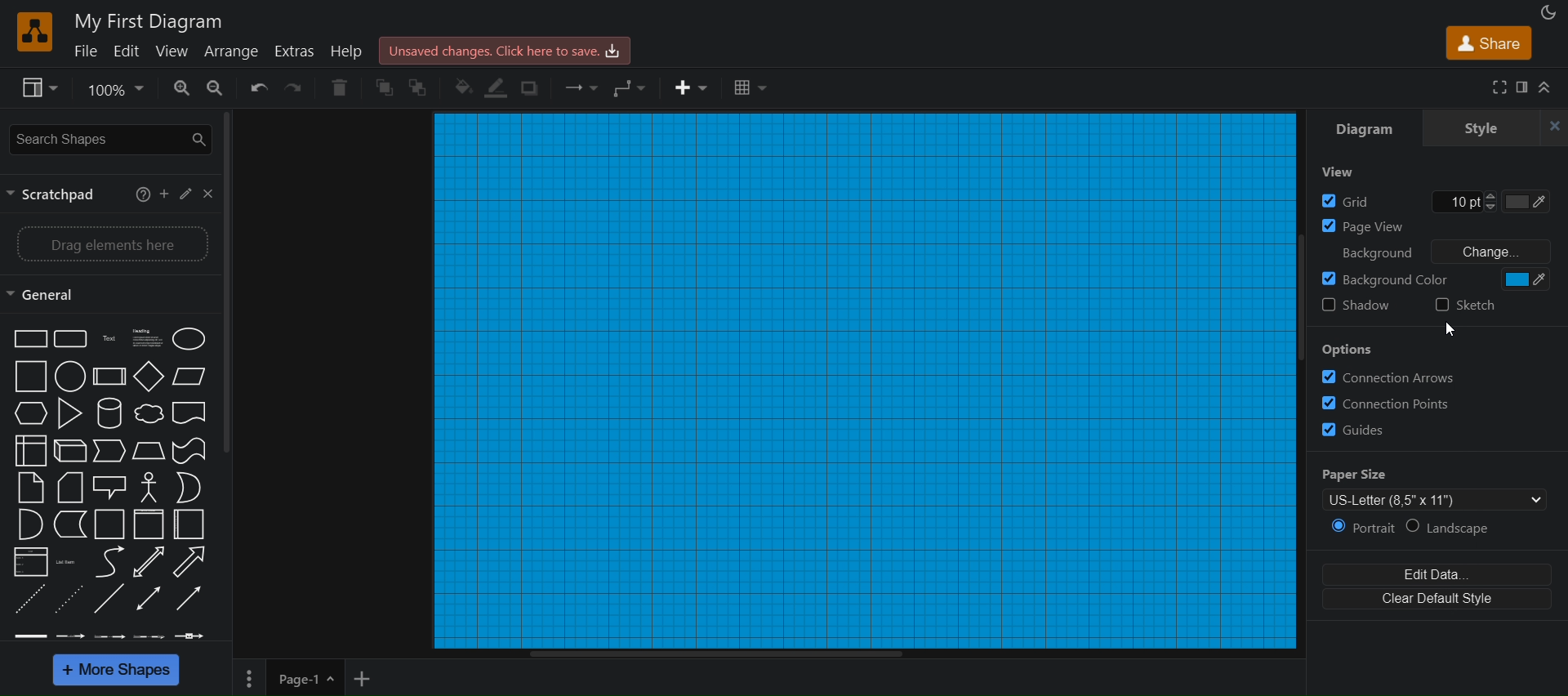  I want to click on Guides, so click(1357, 430).